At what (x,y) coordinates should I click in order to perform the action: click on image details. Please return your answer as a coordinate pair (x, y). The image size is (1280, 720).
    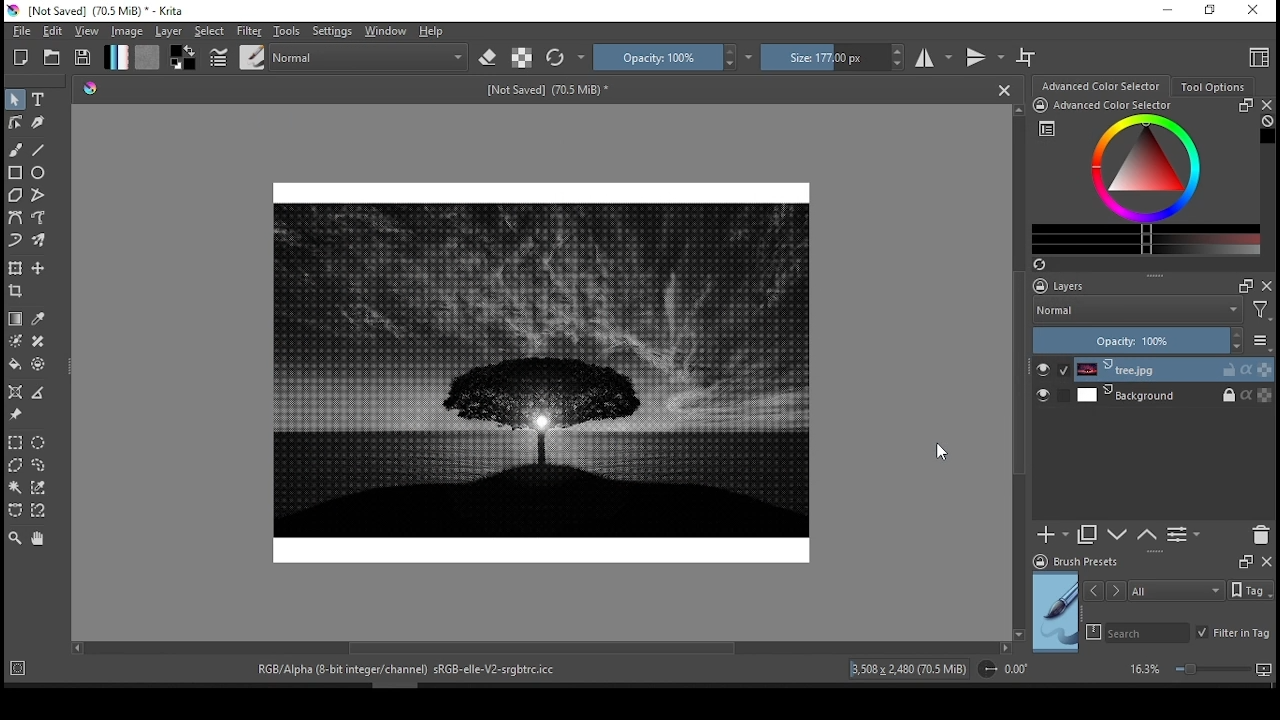
    Looking at the image, I should click on (910, 669).